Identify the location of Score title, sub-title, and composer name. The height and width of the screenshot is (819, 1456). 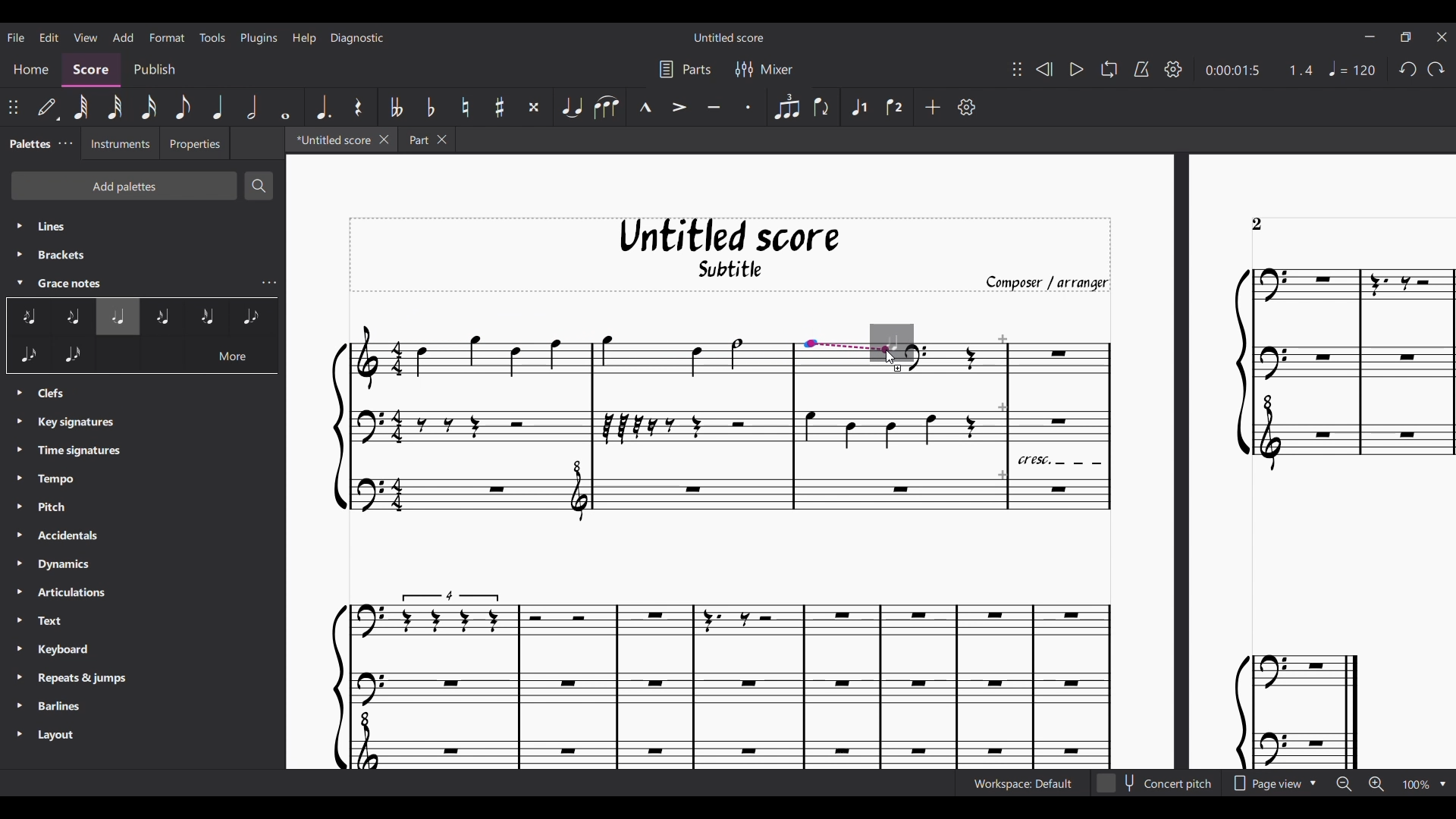
(730, 255).